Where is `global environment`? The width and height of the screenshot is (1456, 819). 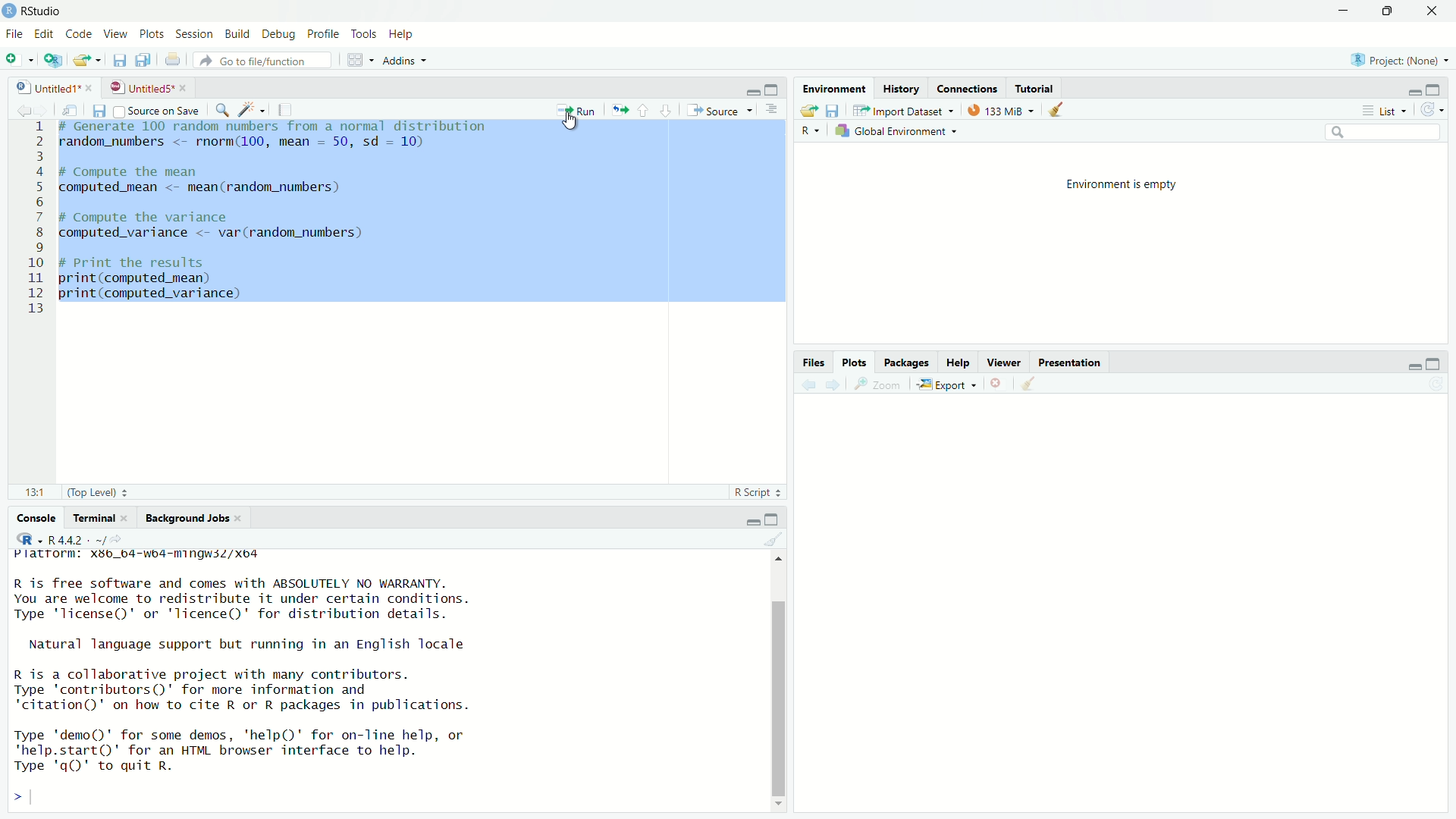
global environment is located at coordinates (898, 133).